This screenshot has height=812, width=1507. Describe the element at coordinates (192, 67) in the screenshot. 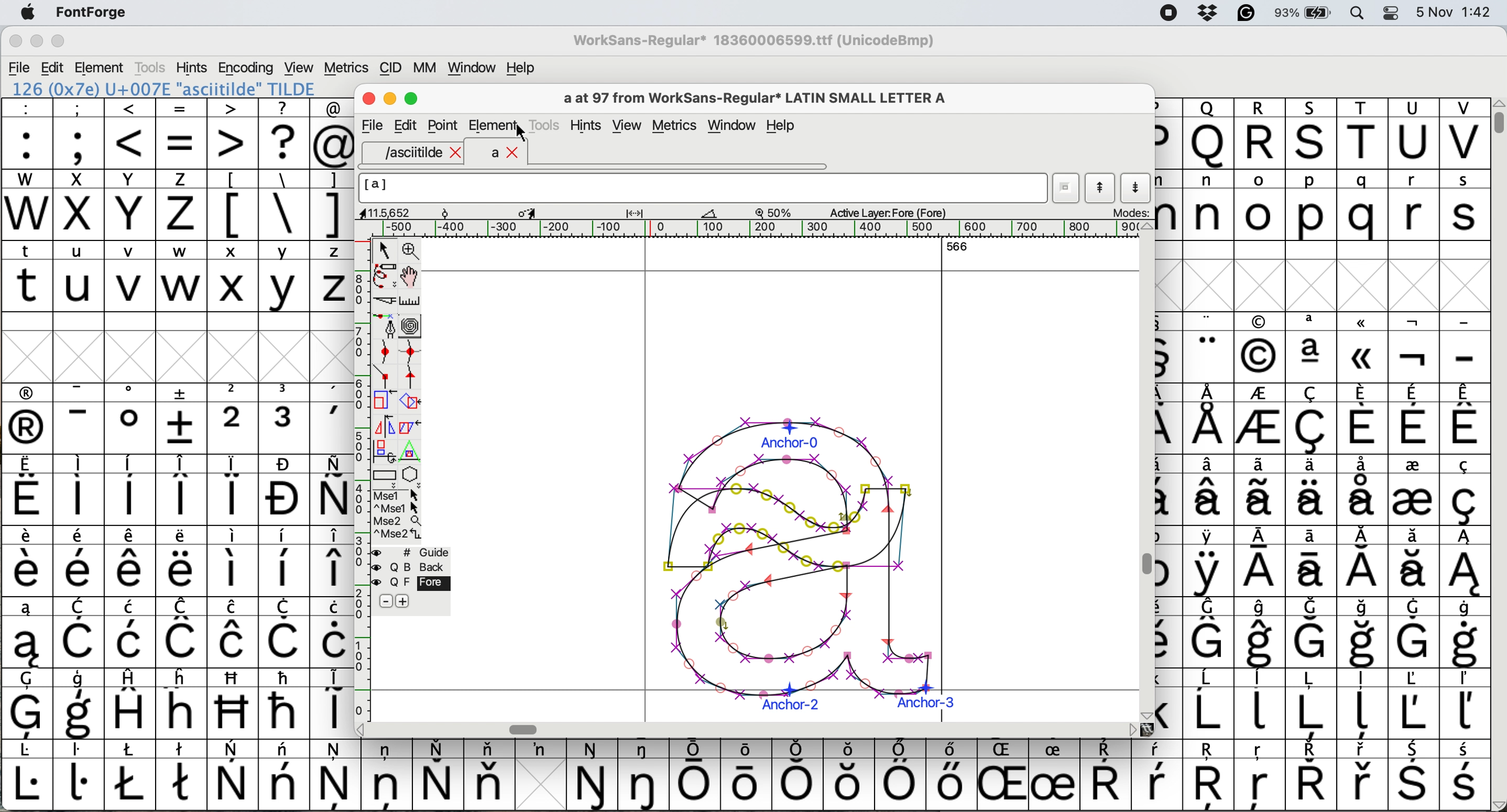

I see `hints` at that location.